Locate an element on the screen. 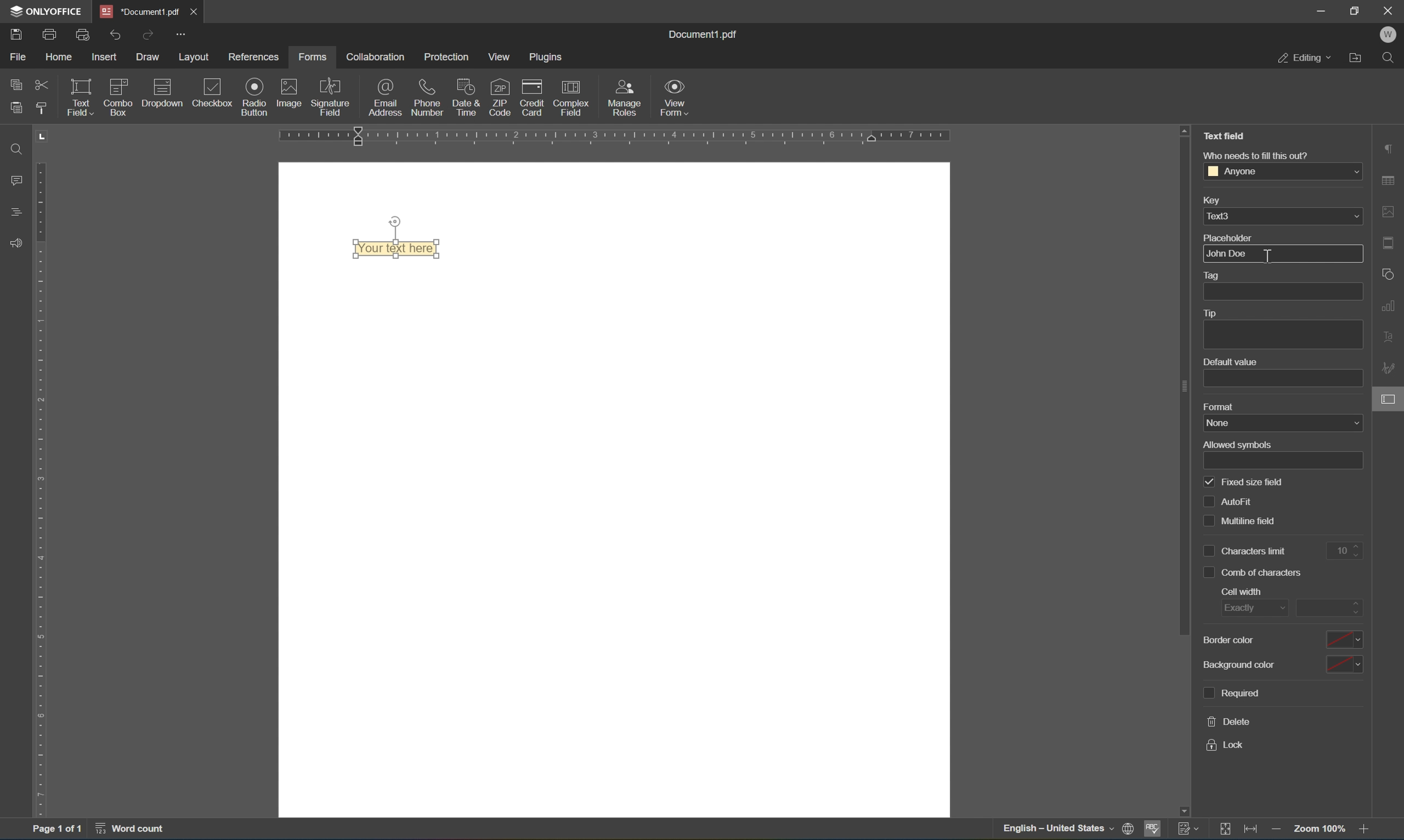 The height and width of the screenshot is (840, 1404). zoom in is located at coordinates (1369, 832).